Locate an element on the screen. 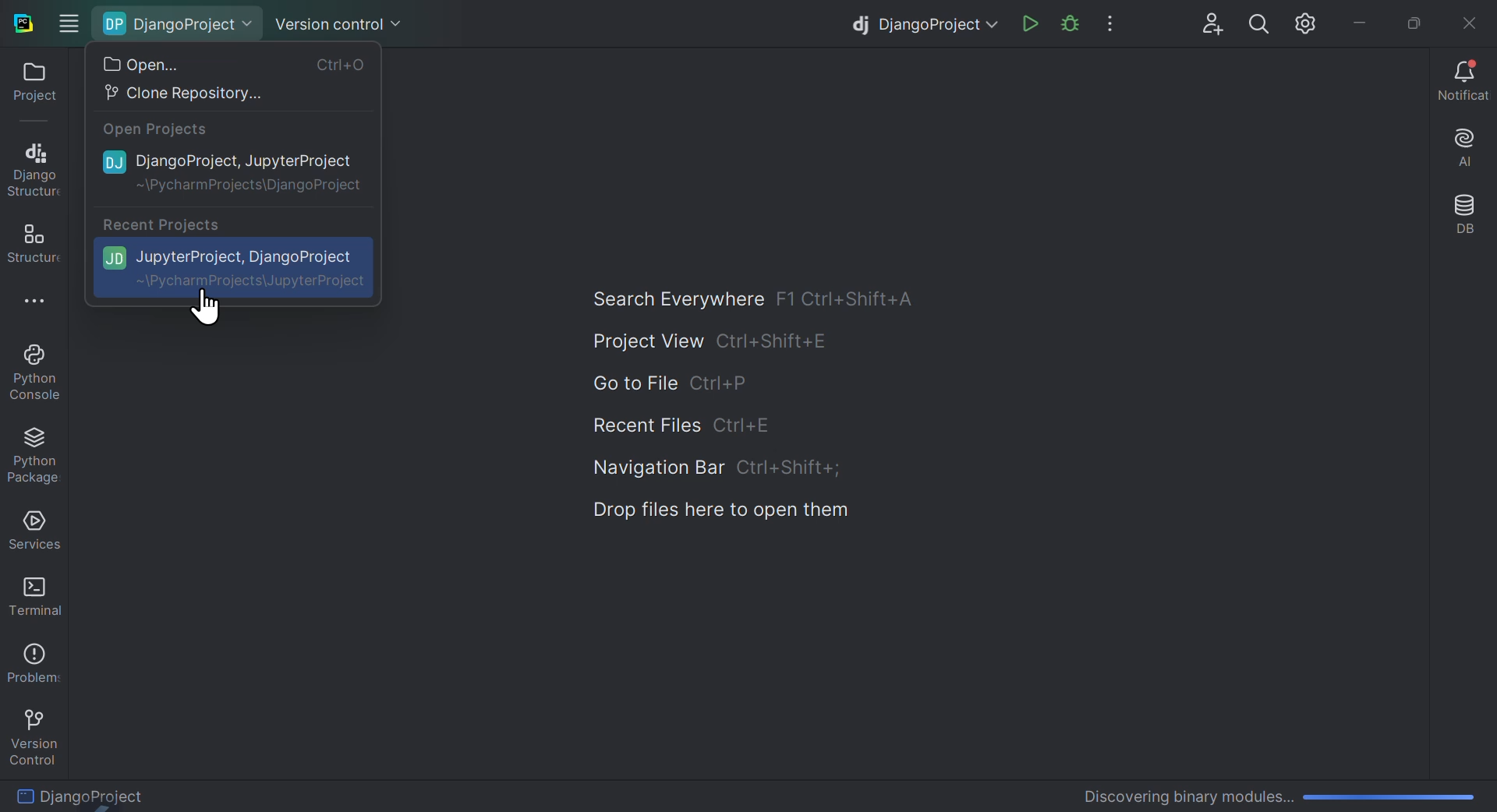 The image size is (1497, 812). Django project is located at coordinates (918, 23).